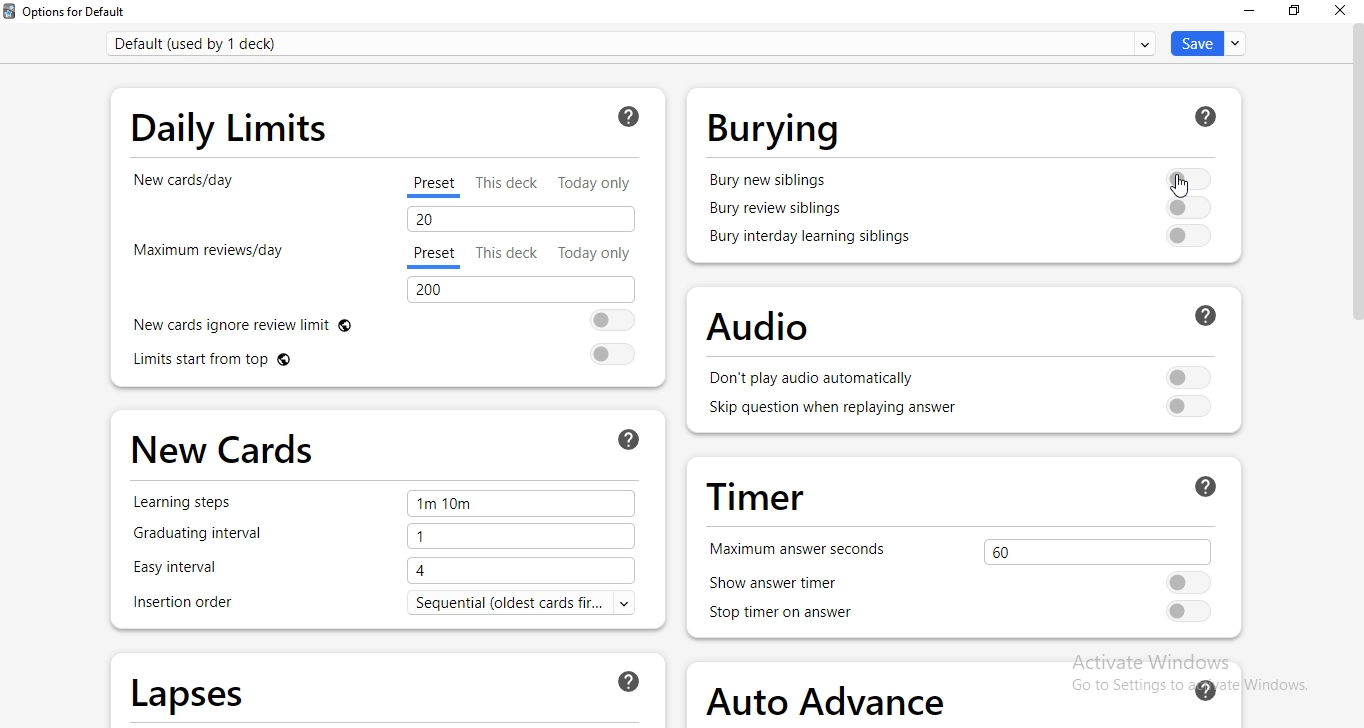  I want to click on graduating interval, so click(212, 539).